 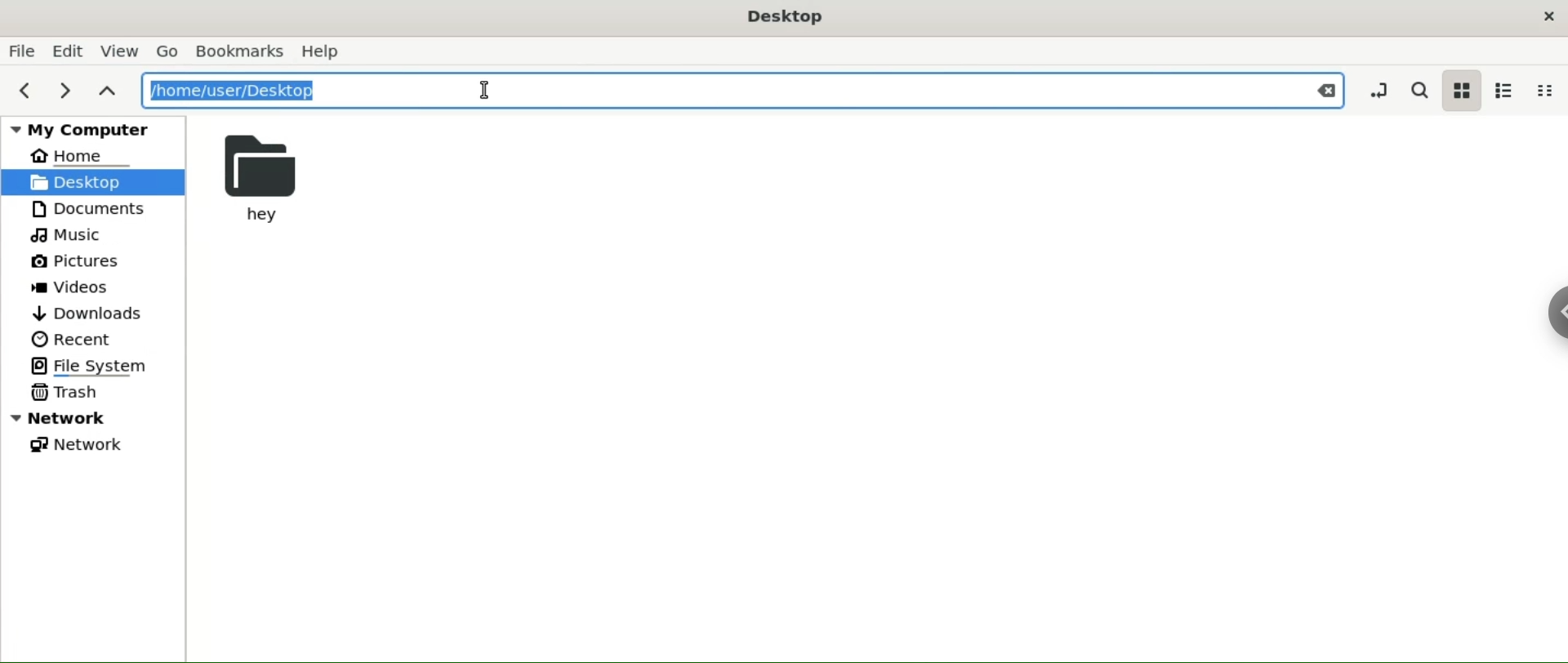 What do you see at coordinates (61, 93) in the screenshot?
I see `next` at bounding box center [61, 93].